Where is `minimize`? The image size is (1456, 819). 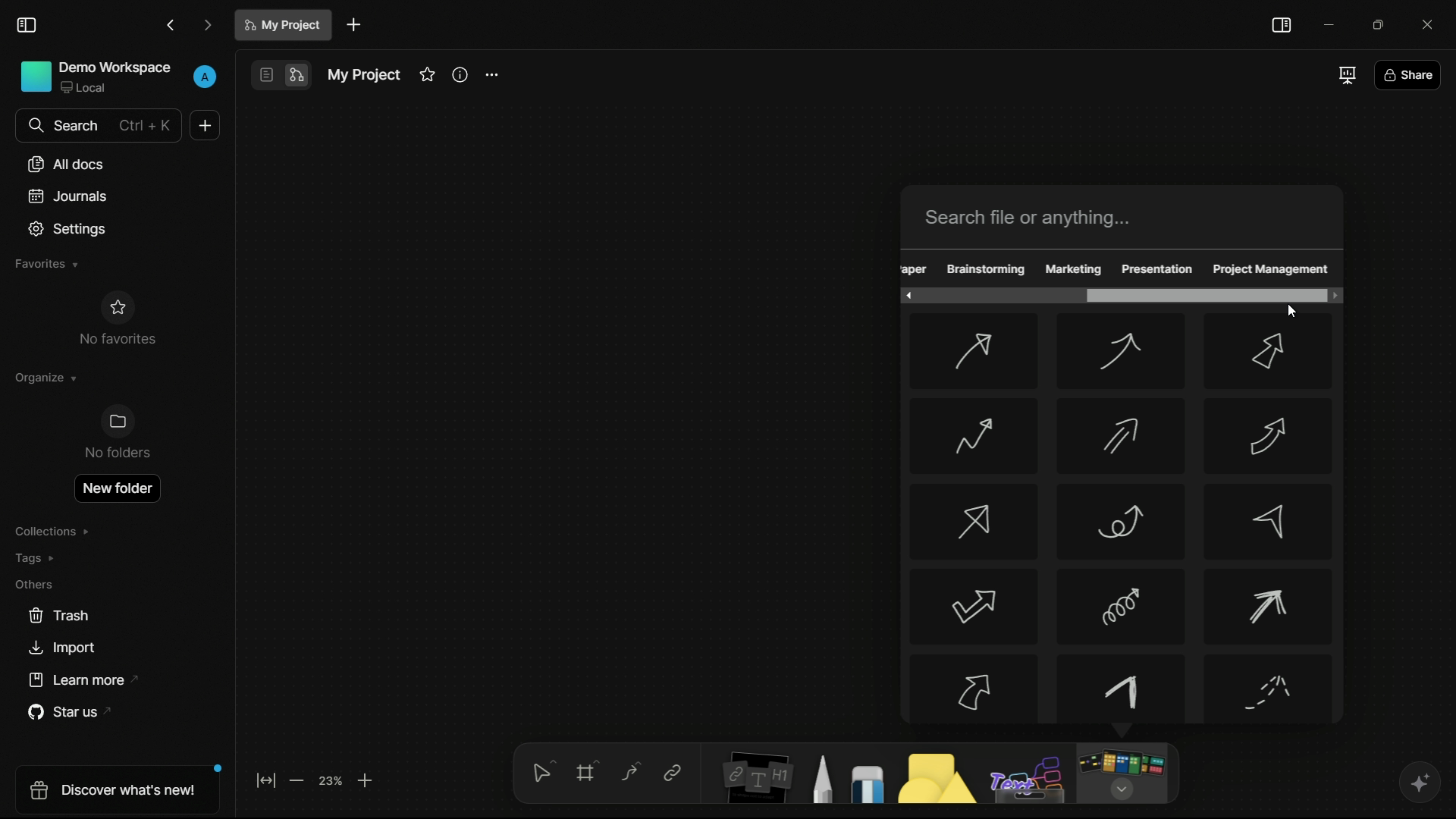 minimize is located at coordinates (1331, 24).